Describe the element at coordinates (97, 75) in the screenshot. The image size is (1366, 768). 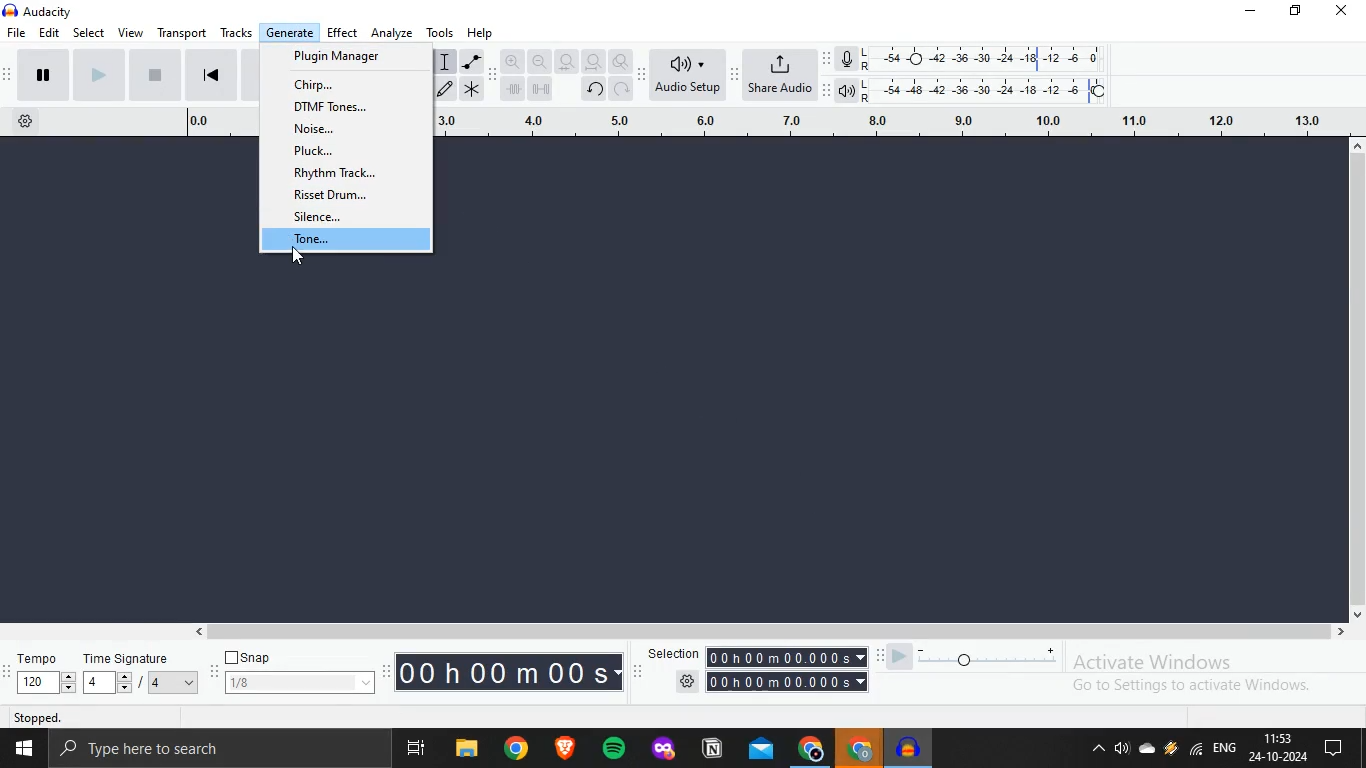
I see `Forward` at that location.